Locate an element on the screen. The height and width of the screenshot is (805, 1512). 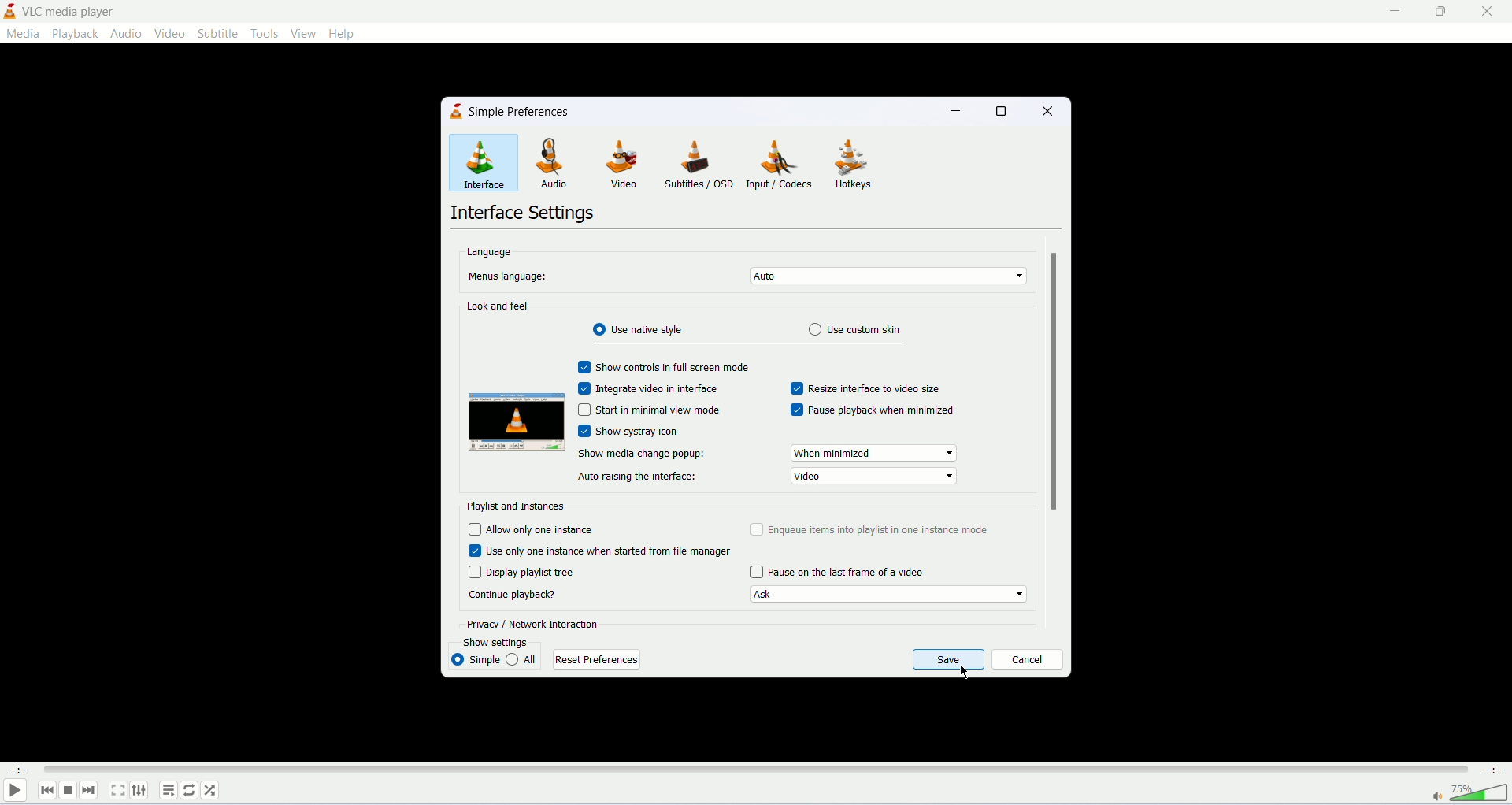
resize interface to video size is located at coordinates (884, 388).